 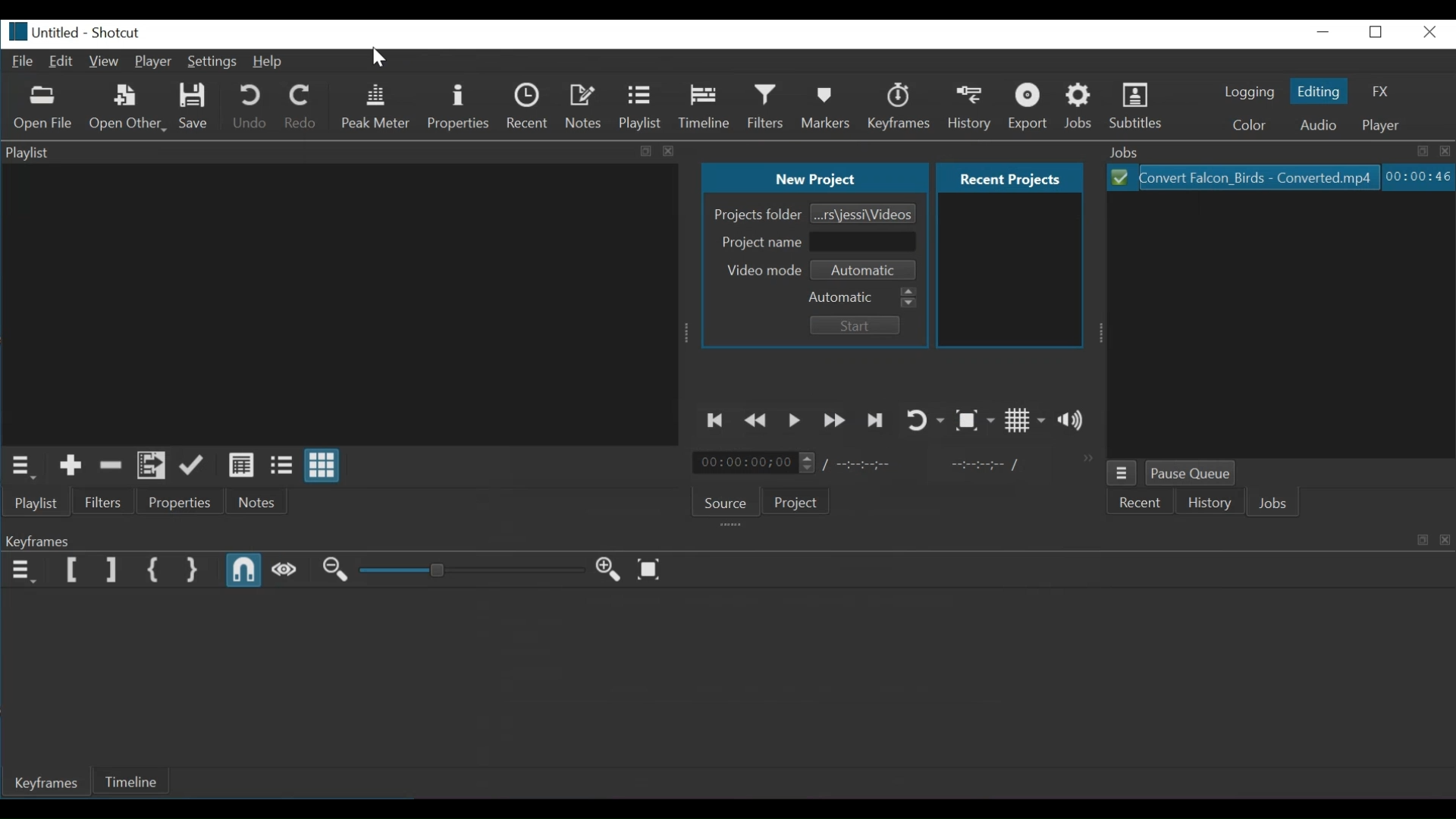 I want to click on Skip to the next point, so click(x=874, y=419).